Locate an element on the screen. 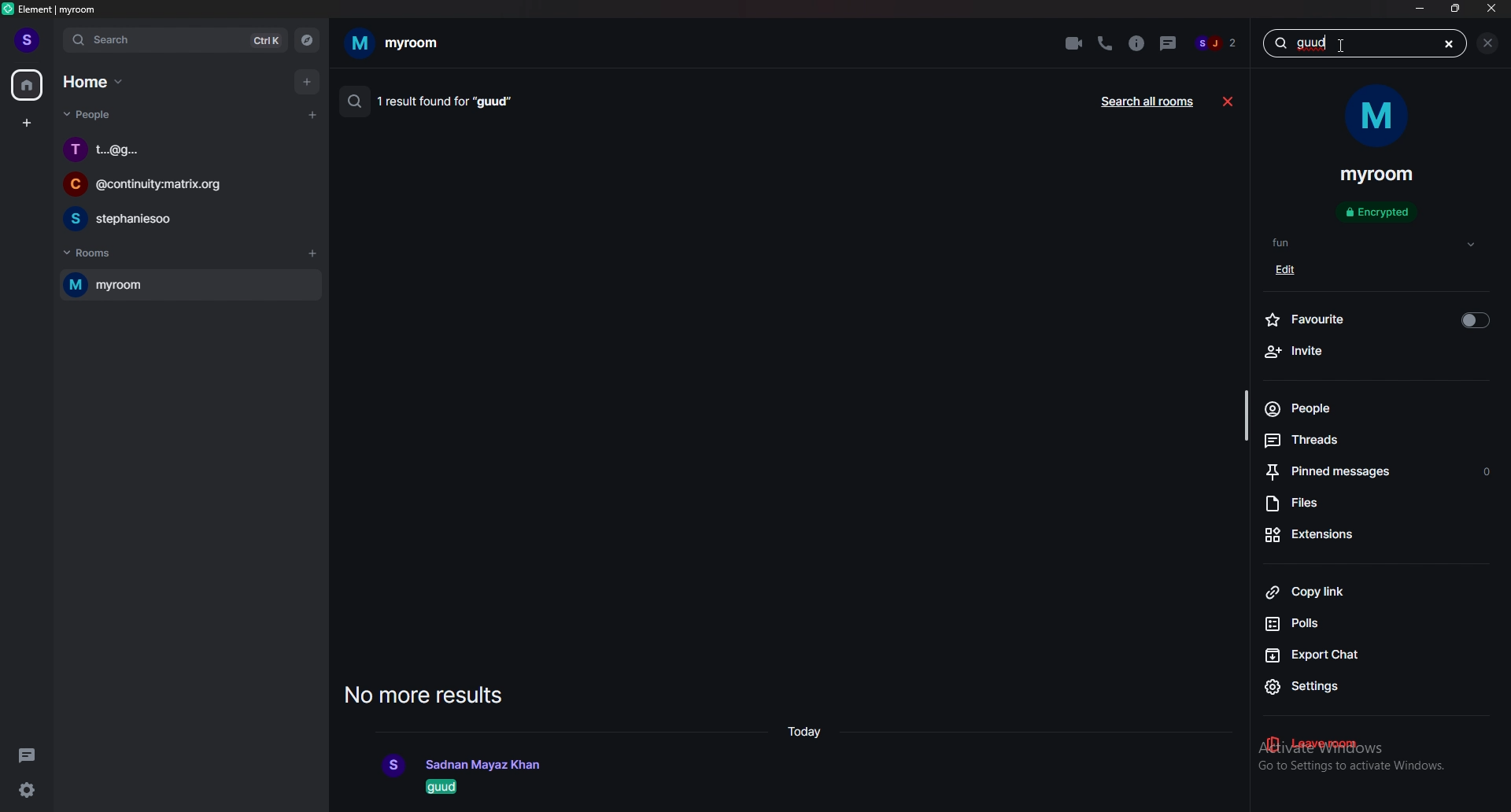 This screenshot has width=1511, height=812. tags is located at coordinates (1374, 244).